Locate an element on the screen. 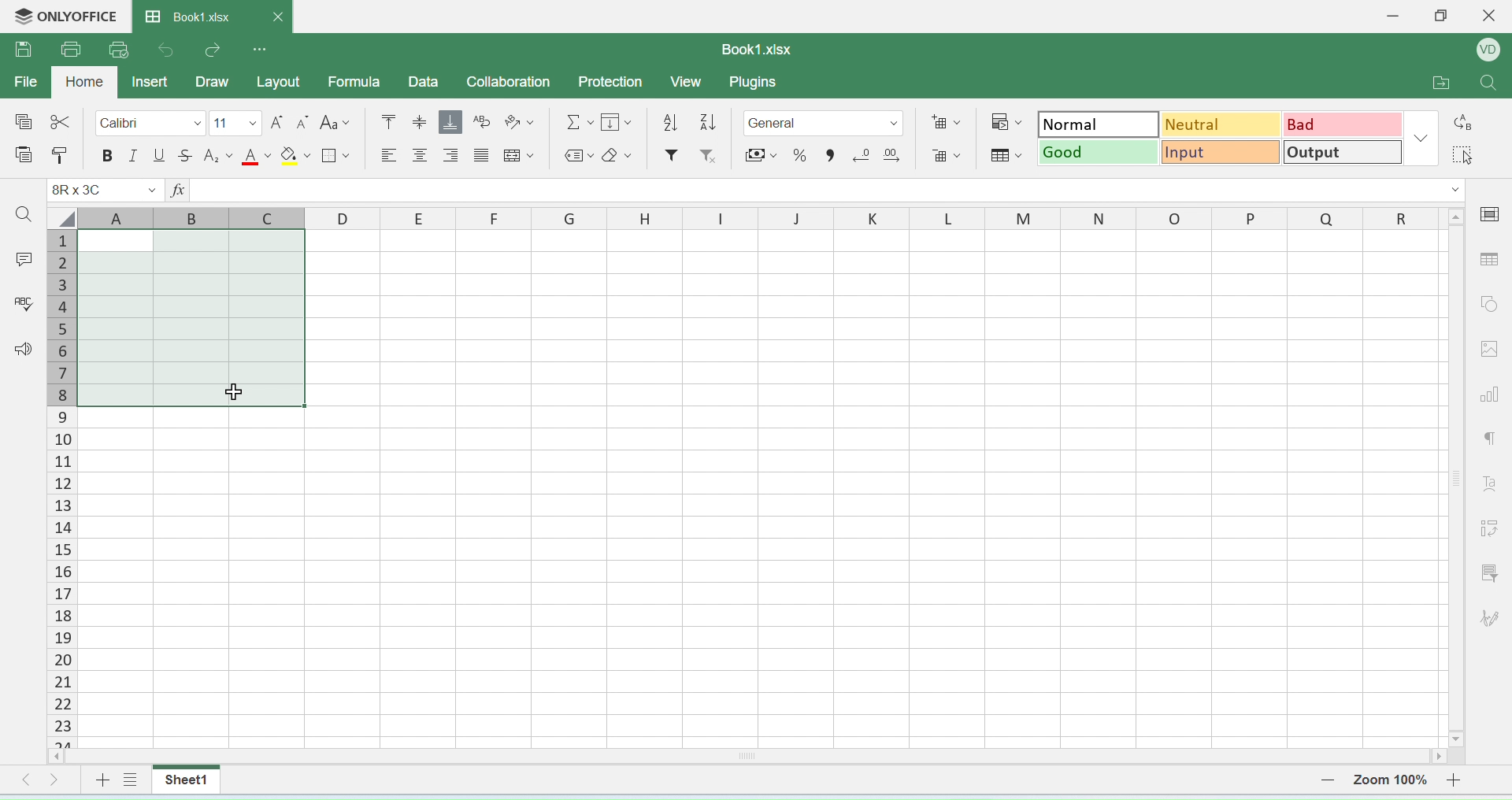  options is located at coordinates (258, 47).